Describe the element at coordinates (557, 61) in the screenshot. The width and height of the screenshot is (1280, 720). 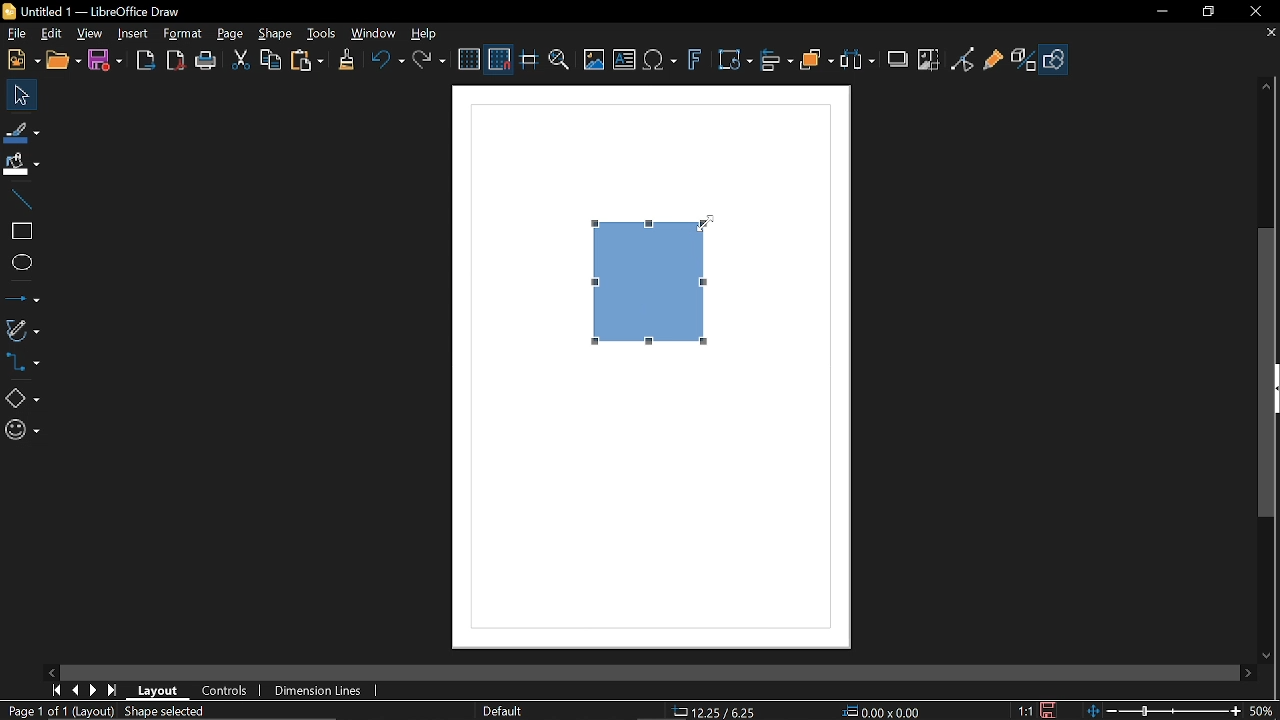
I see `Zoom` at that location.